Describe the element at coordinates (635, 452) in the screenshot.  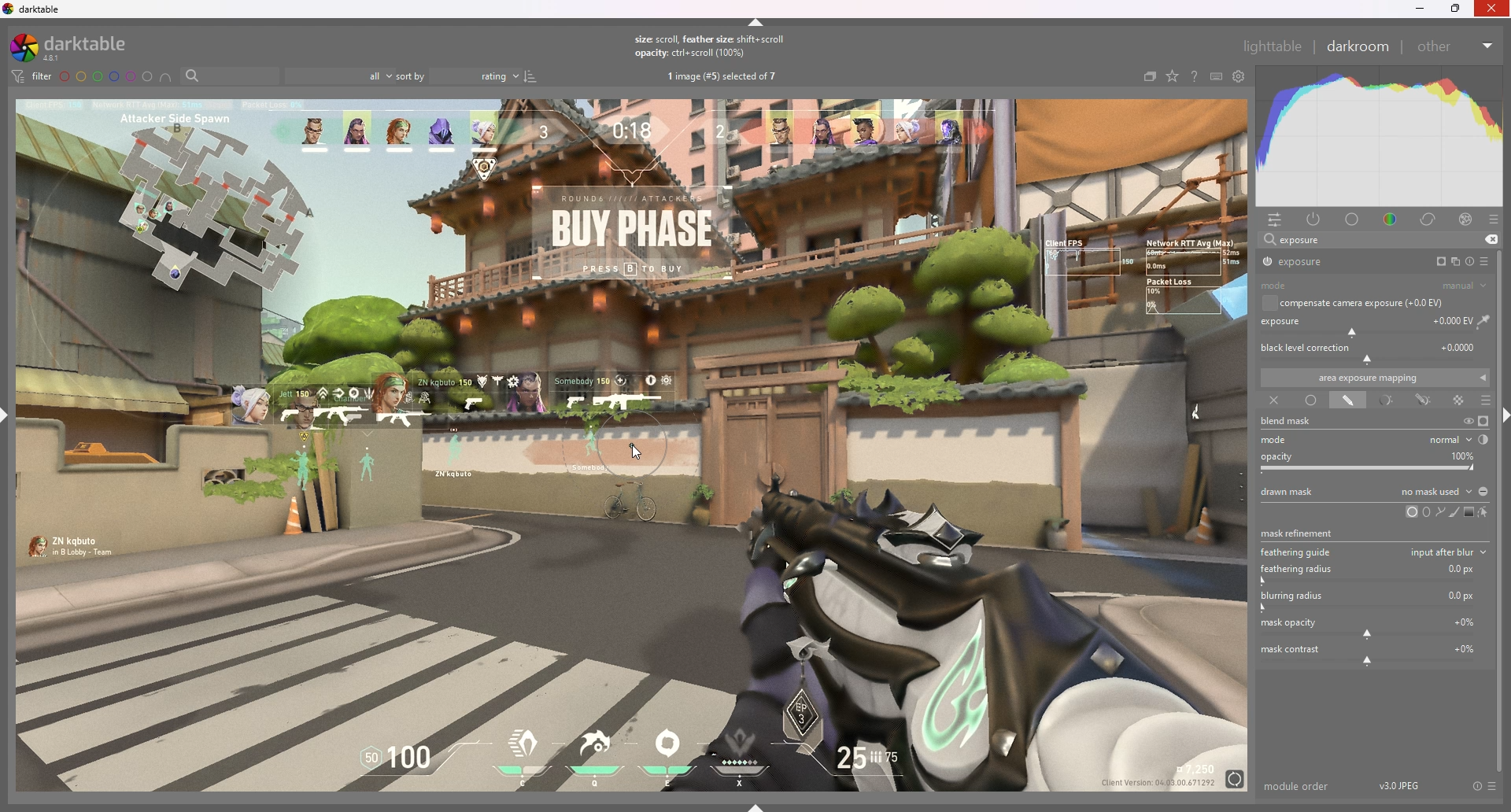
I see `cursor` at that location.